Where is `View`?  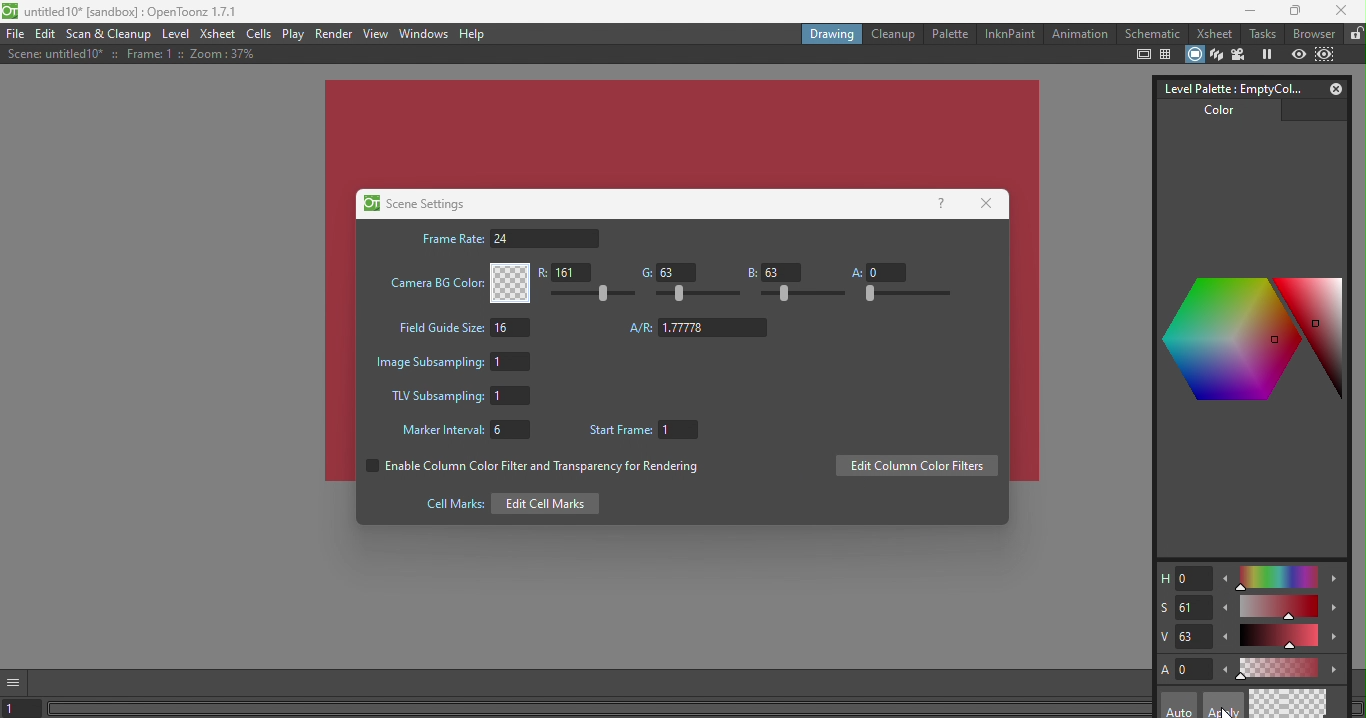 View is located at coordinates (376, 33).